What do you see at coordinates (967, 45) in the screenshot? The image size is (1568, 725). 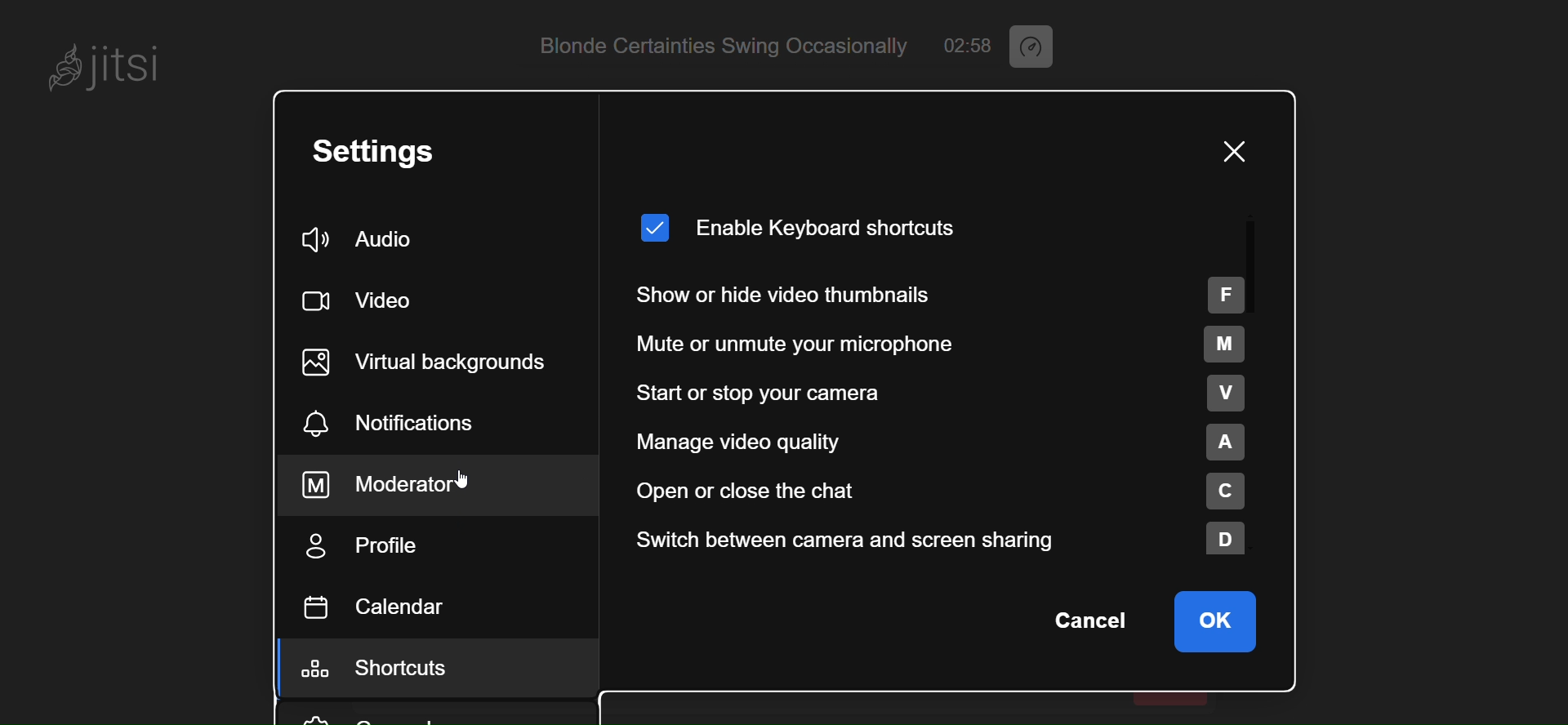 I see `02:58` at bounding box center [967, 45].